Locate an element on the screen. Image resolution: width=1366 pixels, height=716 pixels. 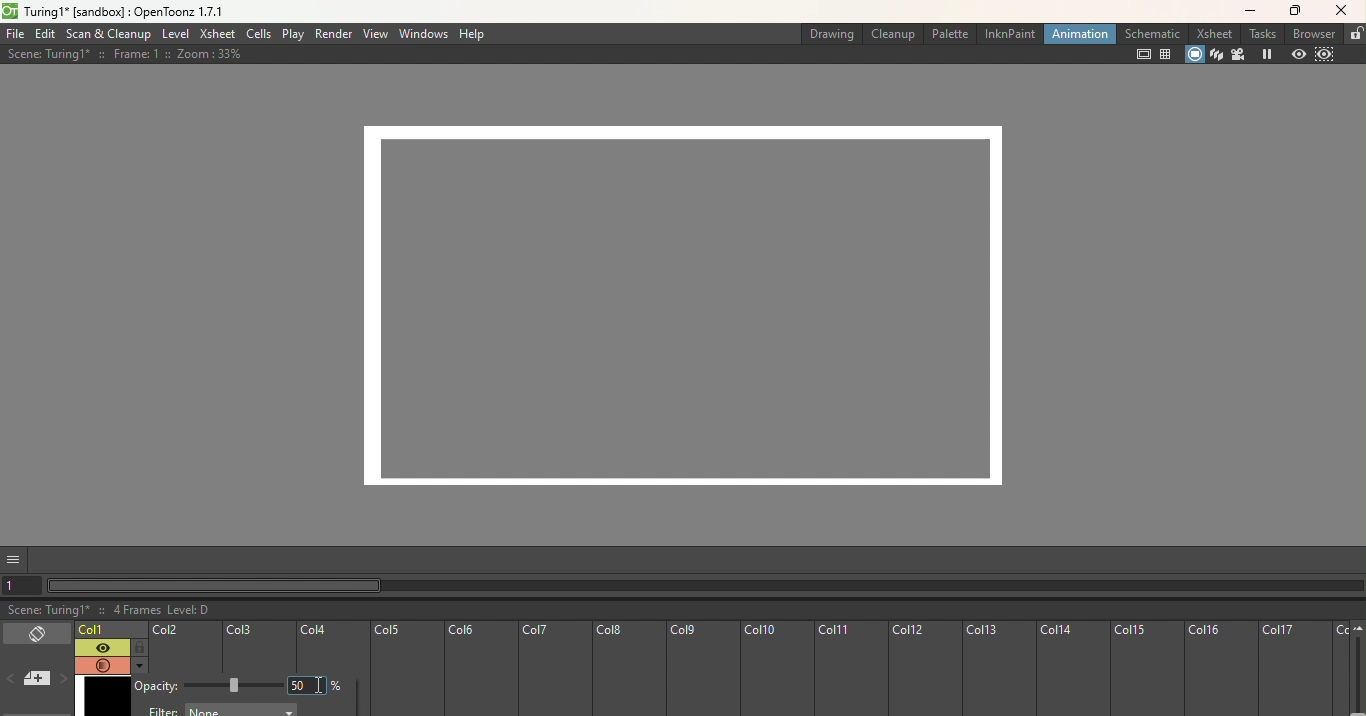
Turing1* [sandbox] : OpenToonz 1.7.1 is located at coordinates (130, 11).